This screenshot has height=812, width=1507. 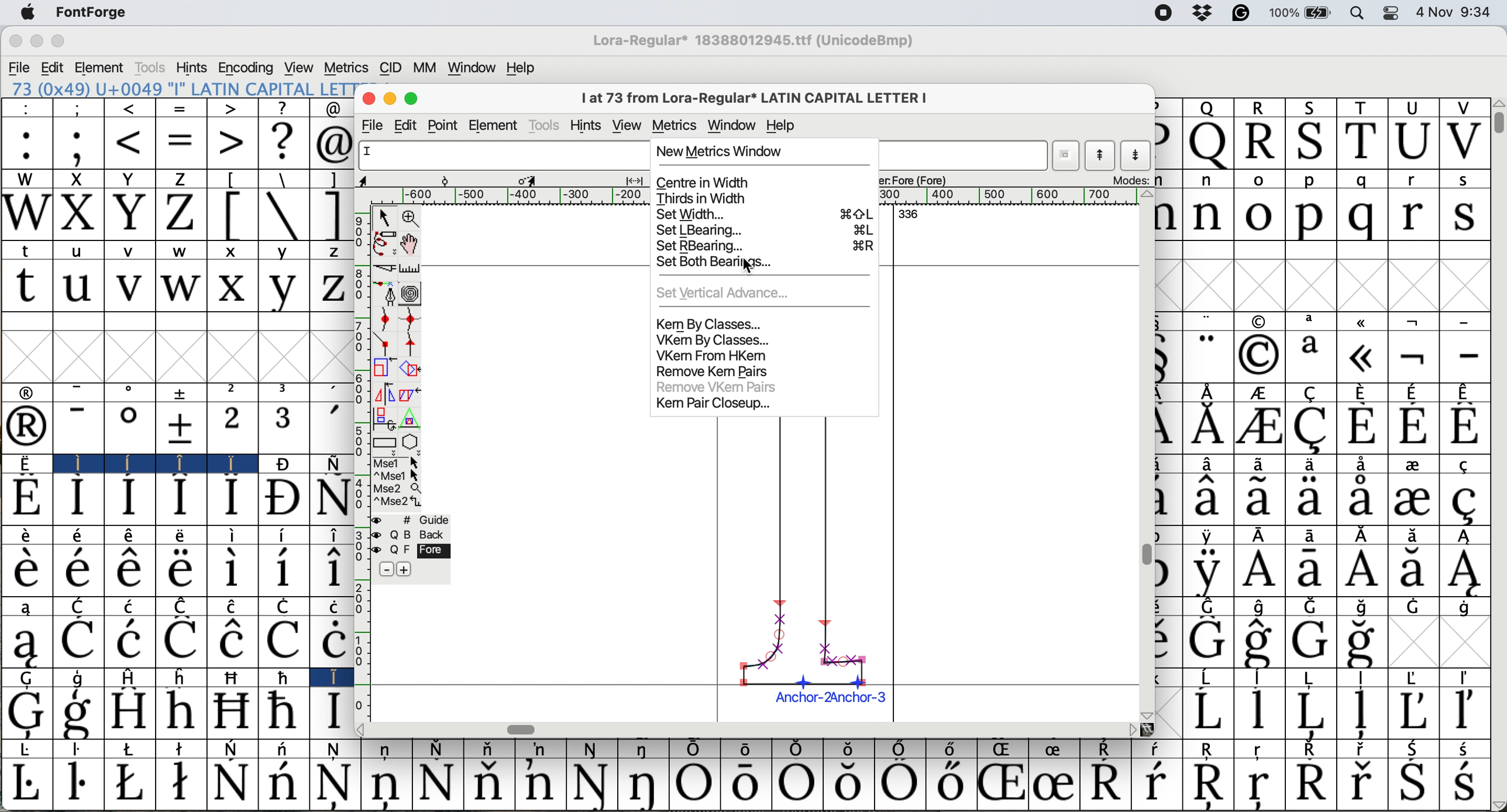 I want to click on add a curve point horizontally or vertically, so click(x=410, y=319).